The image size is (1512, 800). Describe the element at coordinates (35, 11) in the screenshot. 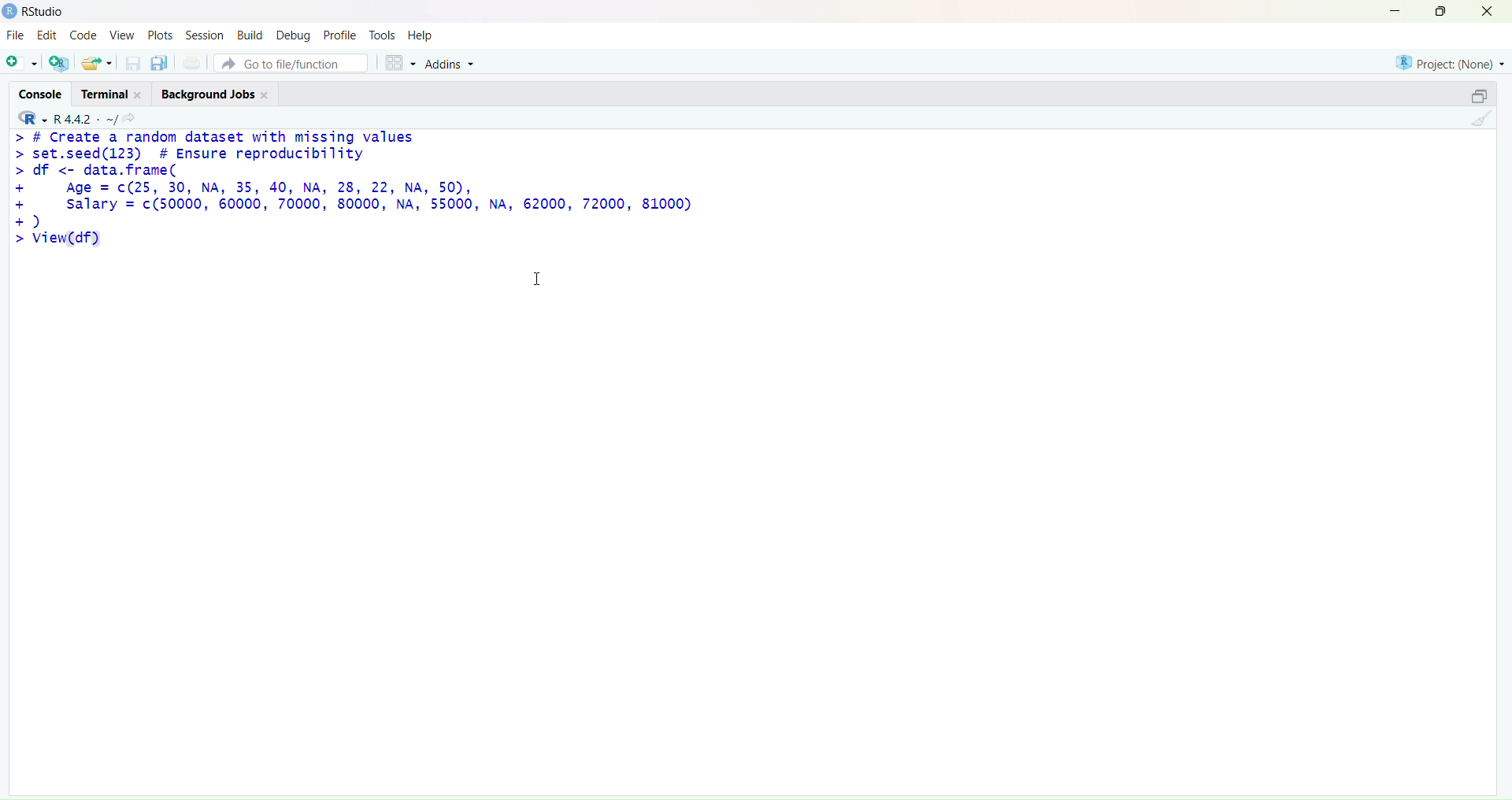

I see `Rstudio` at that location.